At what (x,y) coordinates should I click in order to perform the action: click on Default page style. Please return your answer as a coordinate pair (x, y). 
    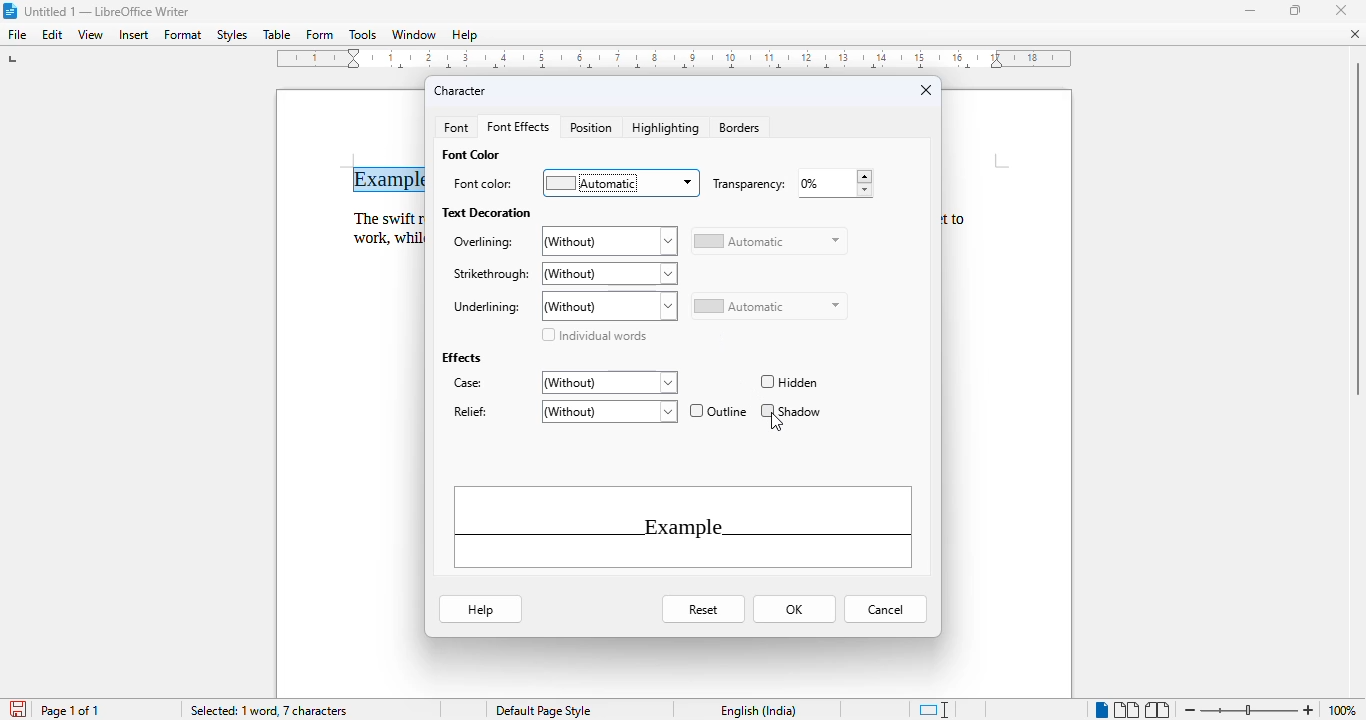
    Looking at the image, I should click on (543, 711).